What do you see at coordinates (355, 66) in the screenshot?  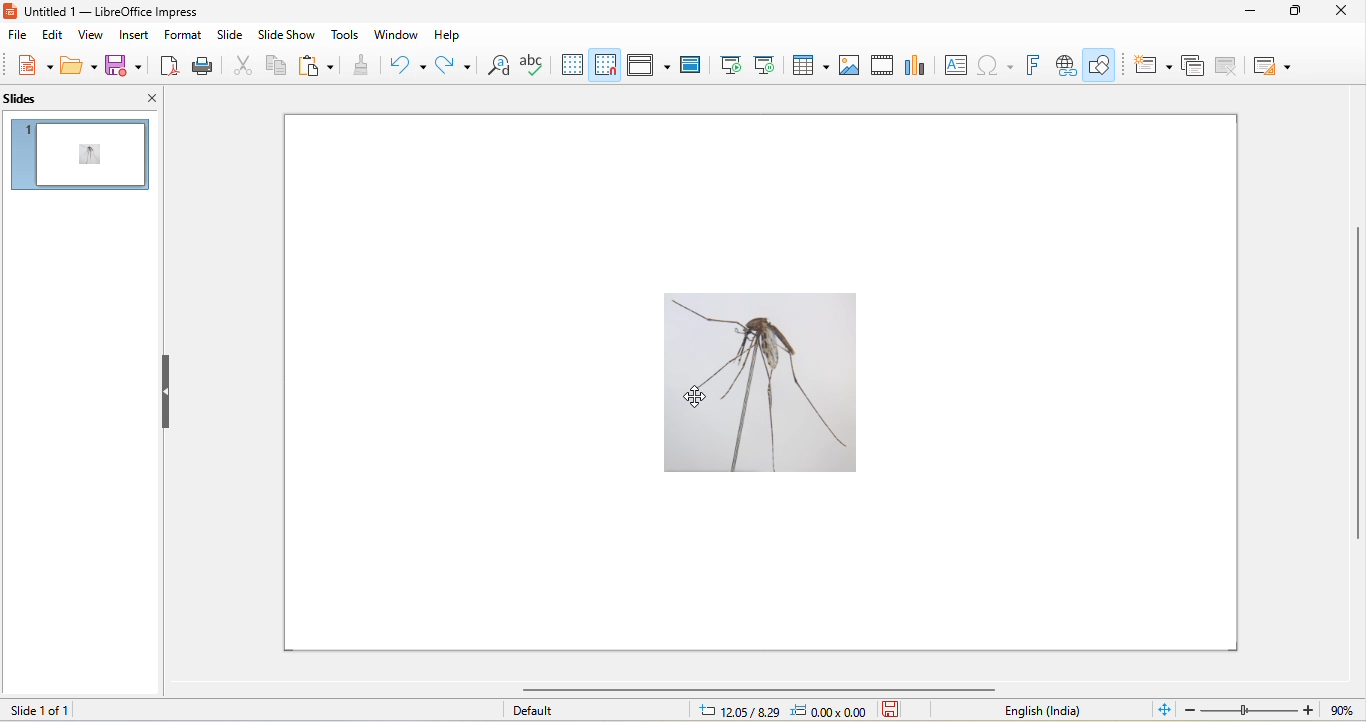 I see `clone` at bounding box center [355, 66].